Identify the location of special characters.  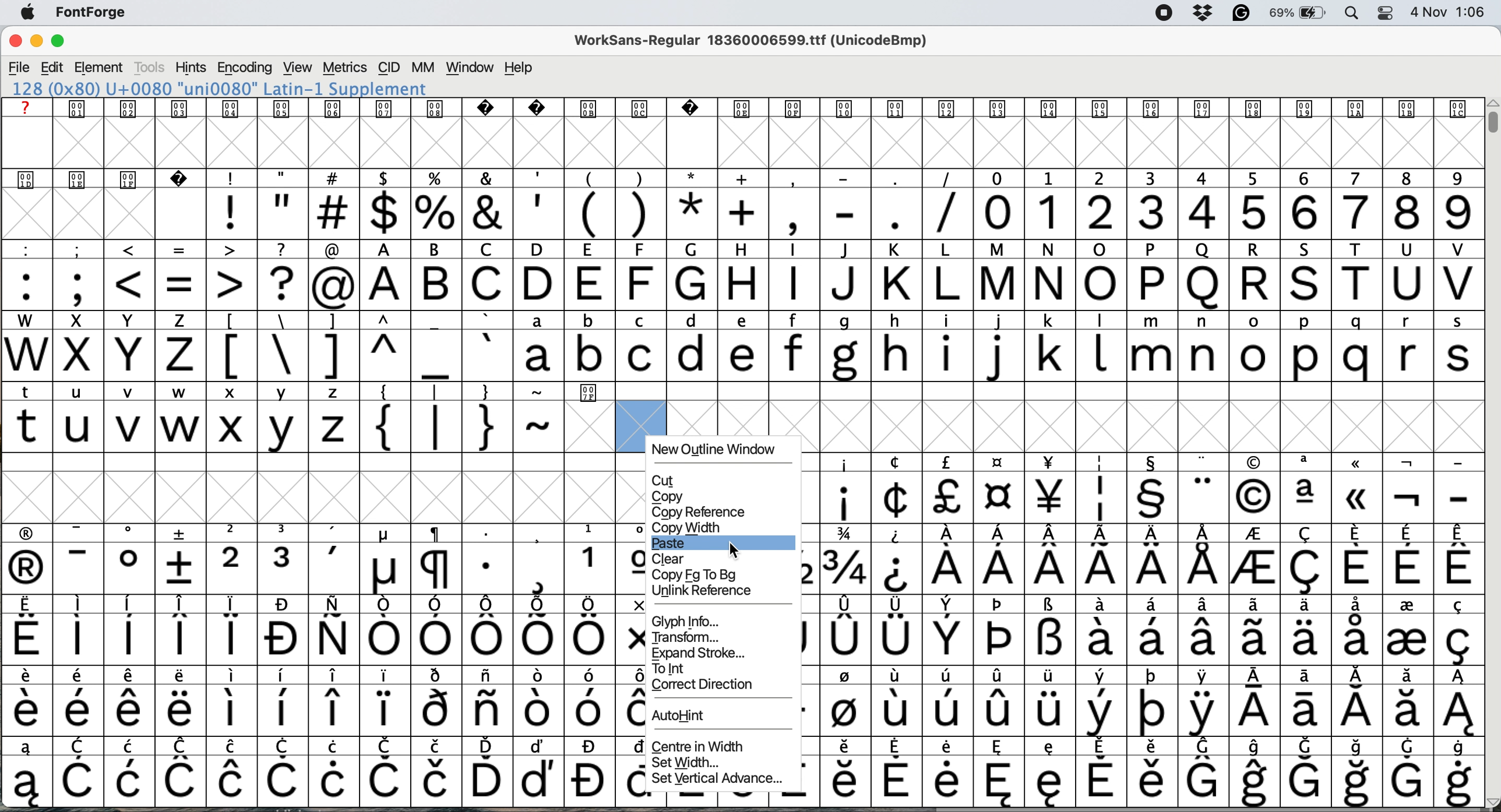
(1144, 498).